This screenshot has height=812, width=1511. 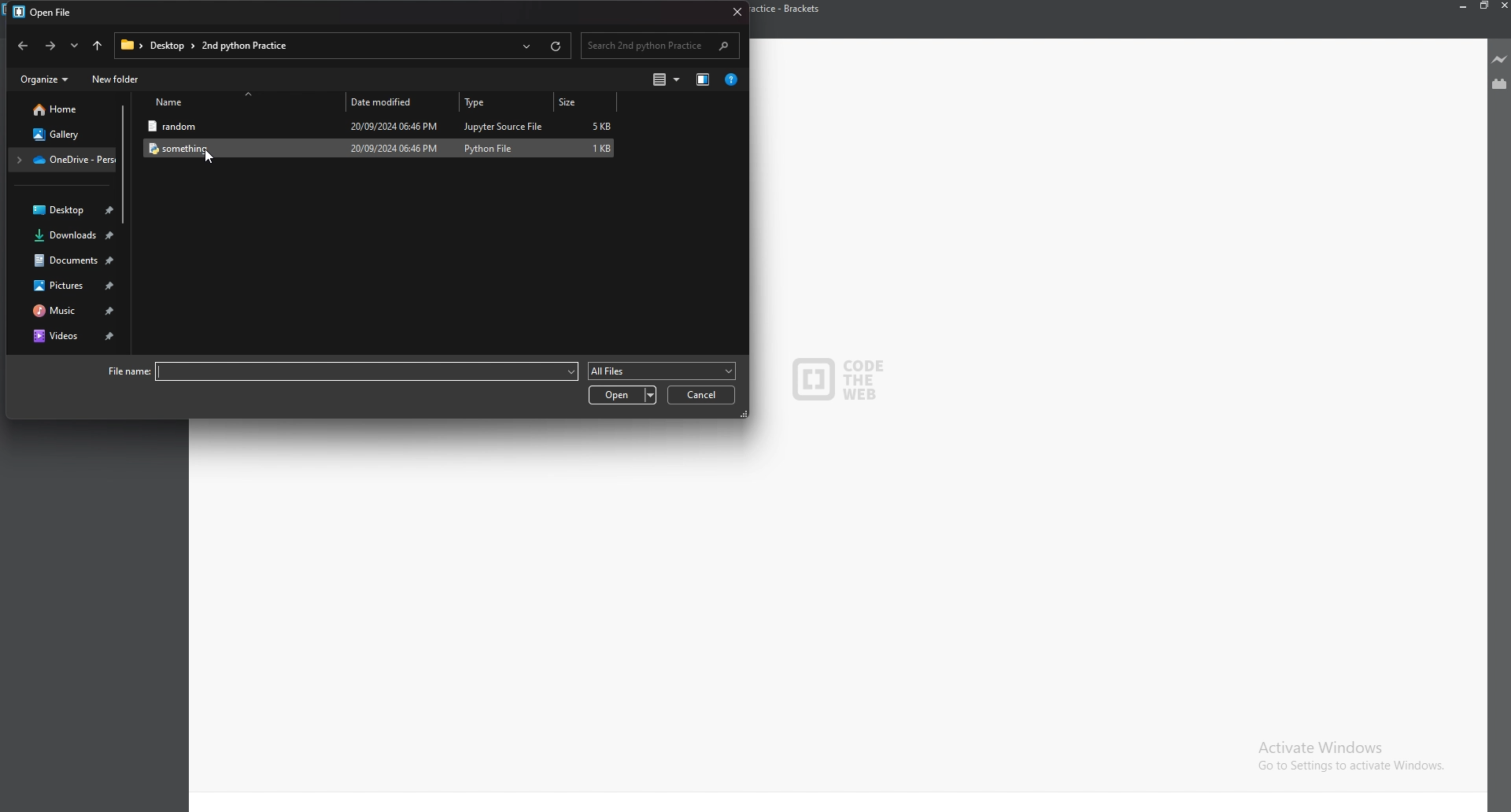 What do you see at coordinates (586, 102) in the screenshot?
I see `size` at bounding box center [586, 102].